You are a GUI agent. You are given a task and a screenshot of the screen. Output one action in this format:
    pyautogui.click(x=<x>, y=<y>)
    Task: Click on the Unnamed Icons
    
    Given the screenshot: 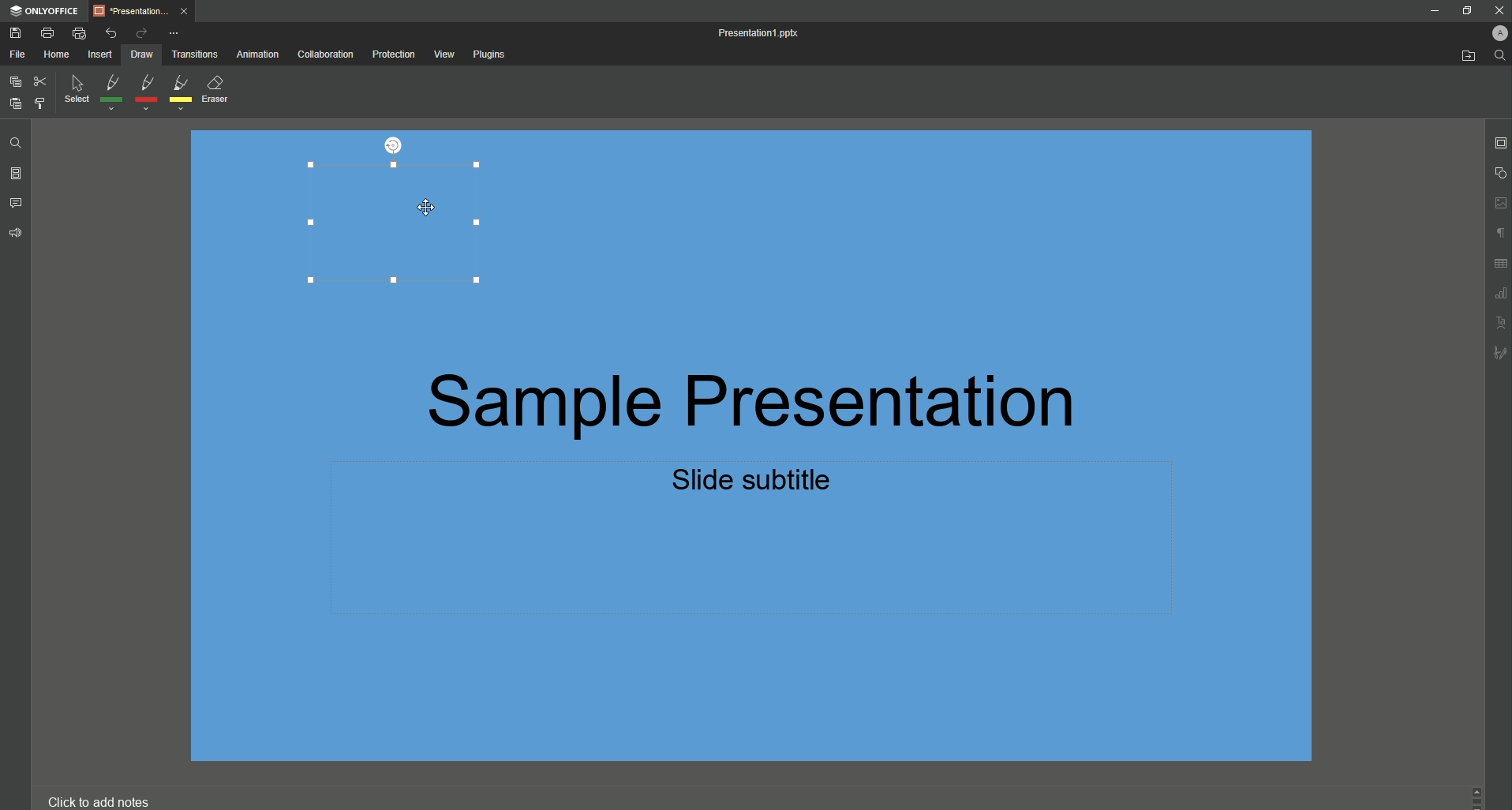 What is the action you would take?
    pyautogui.click(x=1496, y=277)
    